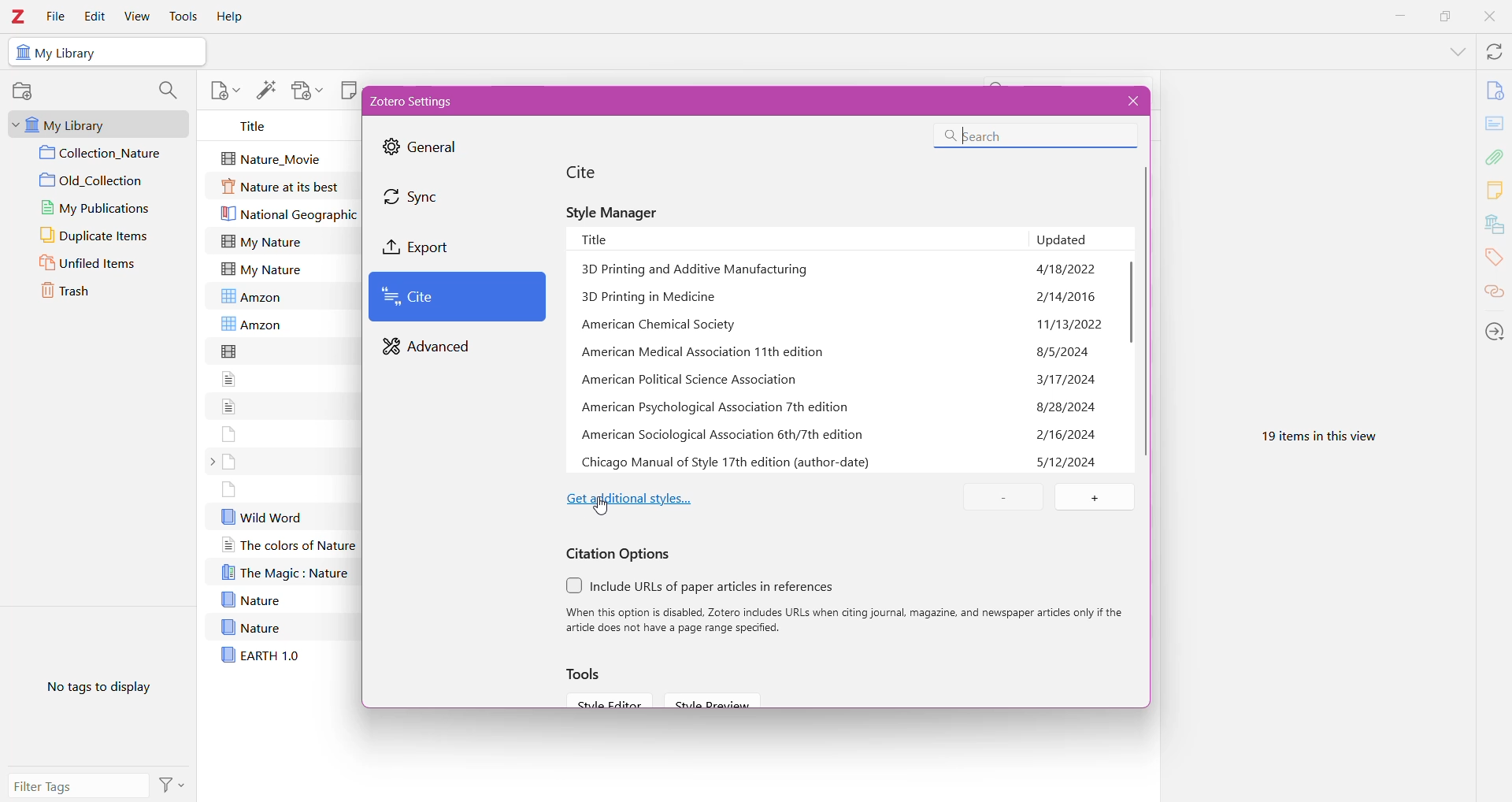 The image size is (1512, 802). What do you see at coordinates (1066, 407) in the screenshot?
I see `8/28/2024` at bounding box center [1066, 407].